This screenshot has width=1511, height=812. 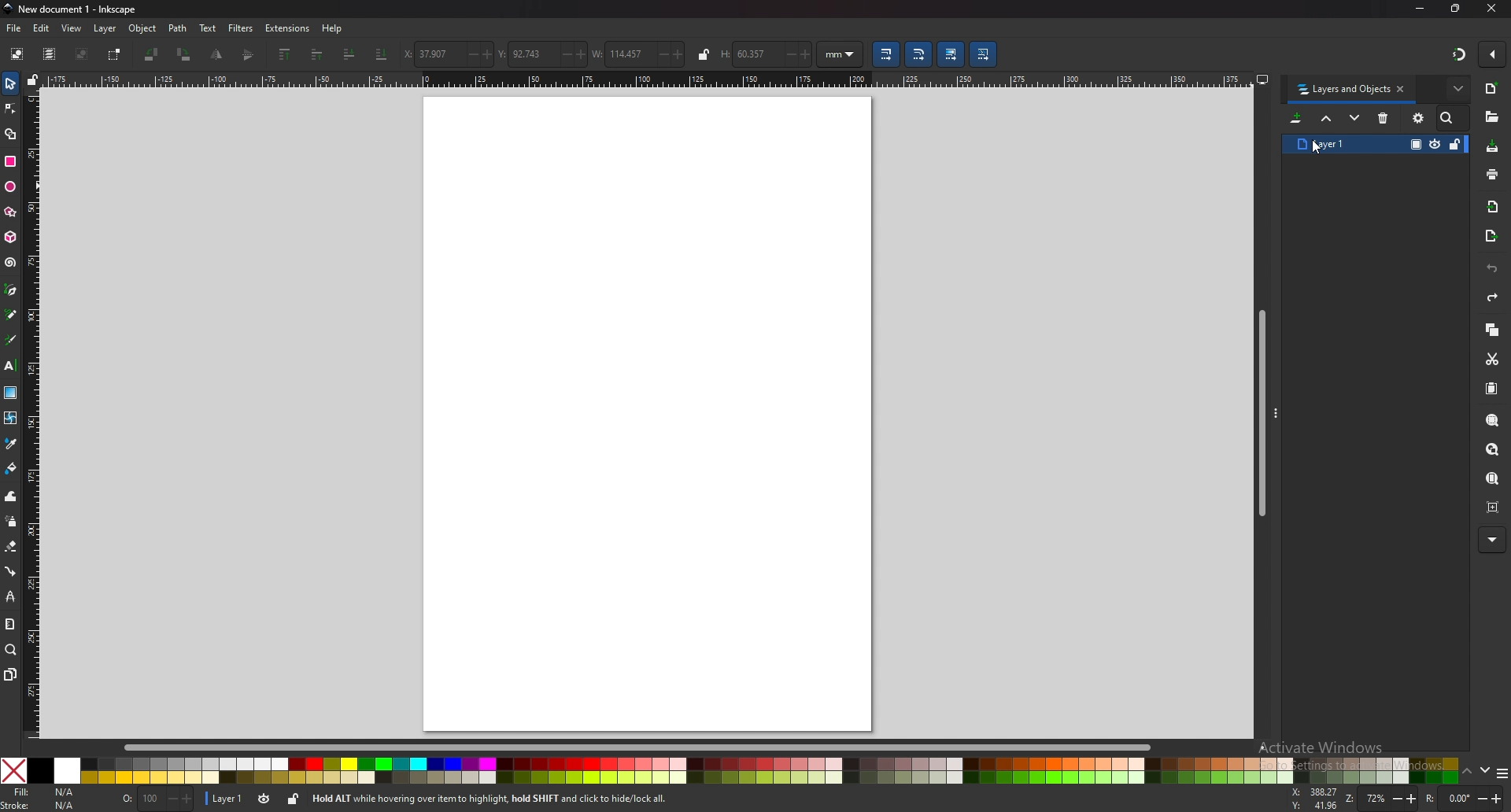 What do you see at coordinates (1313, 797) in the screenshot?
I see `cursor coordinates` at bounding box center [1313, 797].